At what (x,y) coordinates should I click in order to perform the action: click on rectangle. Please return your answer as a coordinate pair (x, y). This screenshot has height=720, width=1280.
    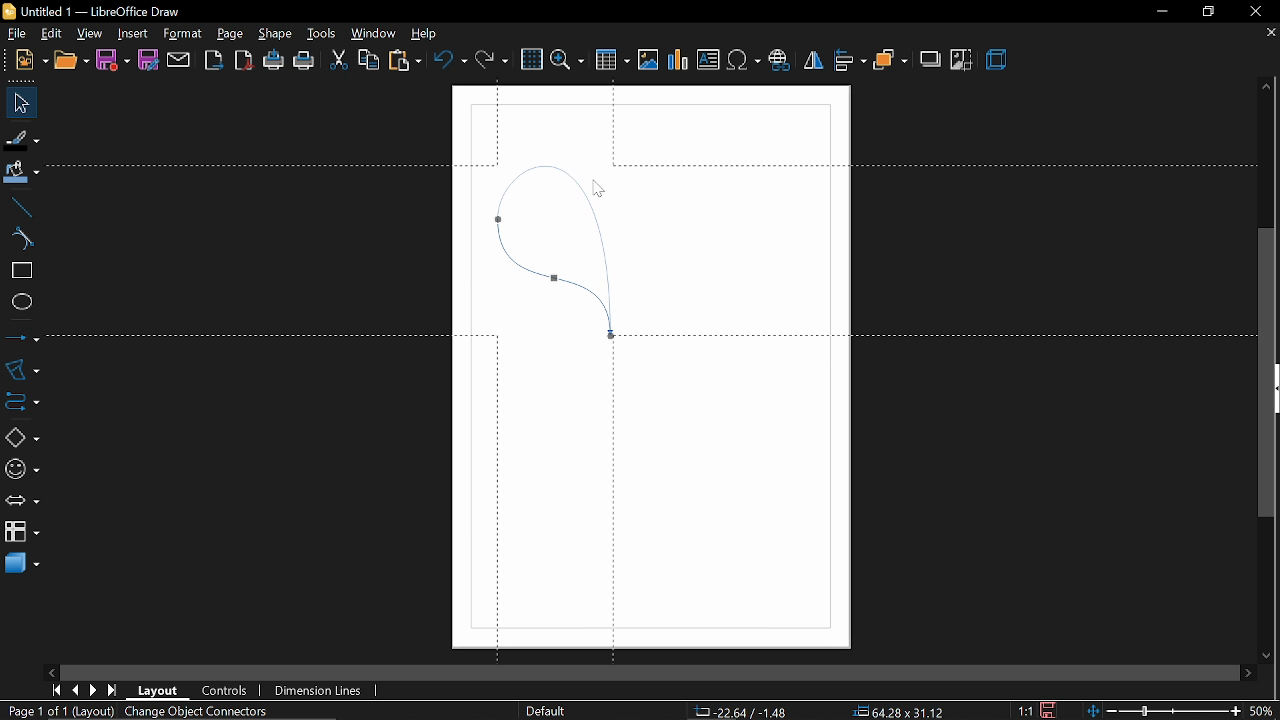
    Looking at the image, I should click on (18, 271).